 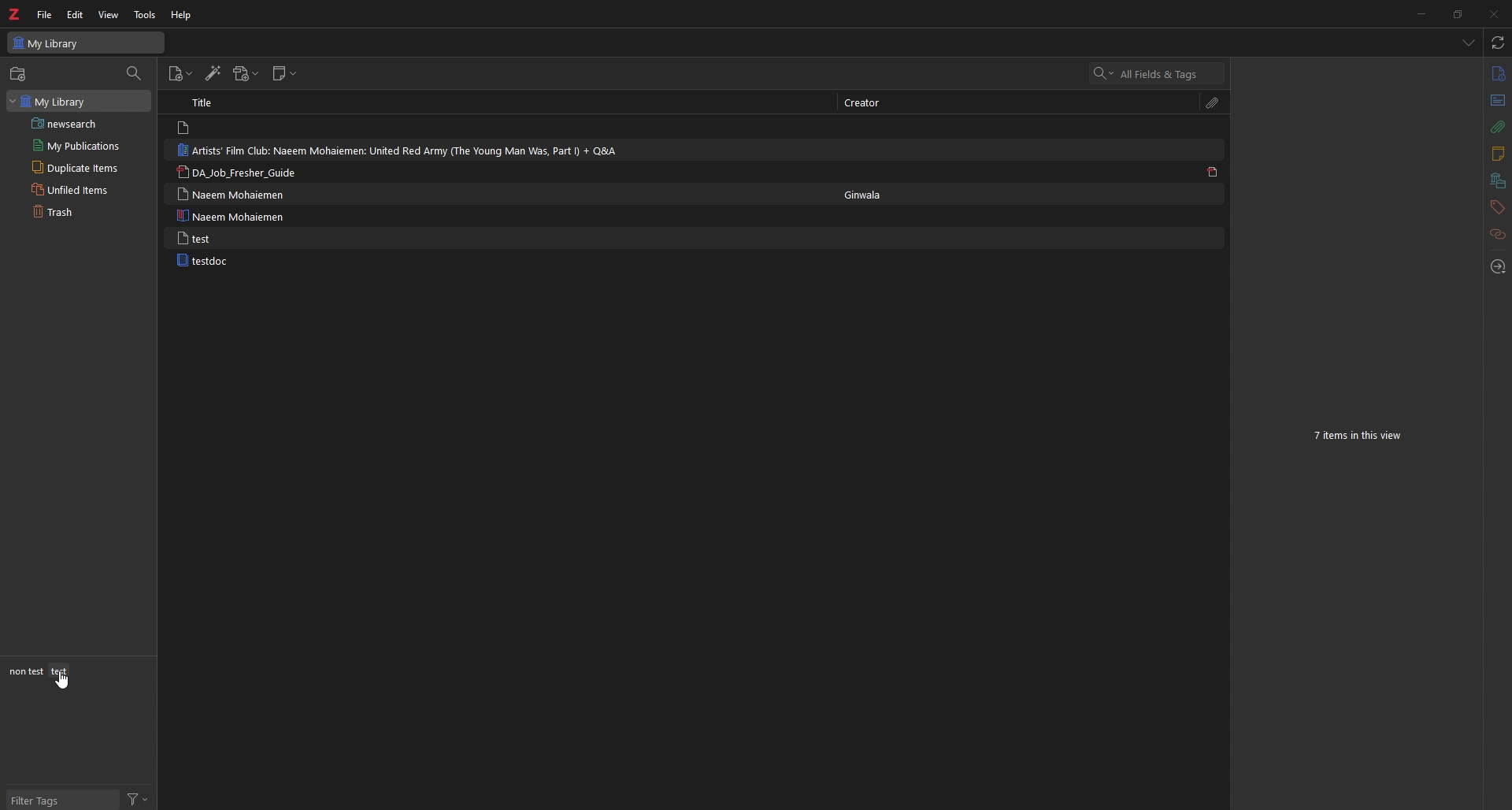 What do you see at coordinates (182, 73) in the screenshot?
I see `new item` at bounding box center [182, 73].